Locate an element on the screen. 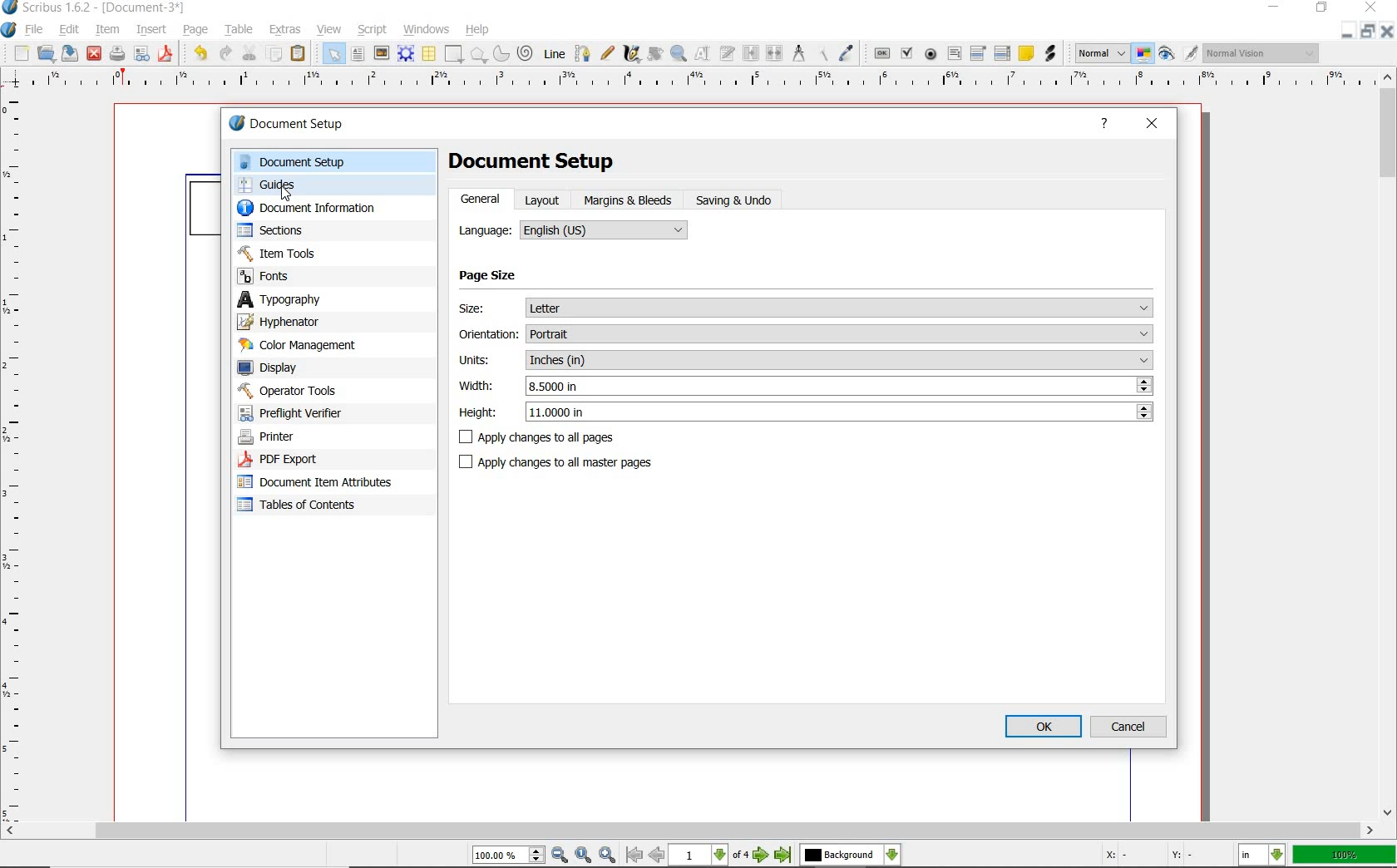 The image size is (1397, 868). pdf text field is located at coordinates (955, 53).